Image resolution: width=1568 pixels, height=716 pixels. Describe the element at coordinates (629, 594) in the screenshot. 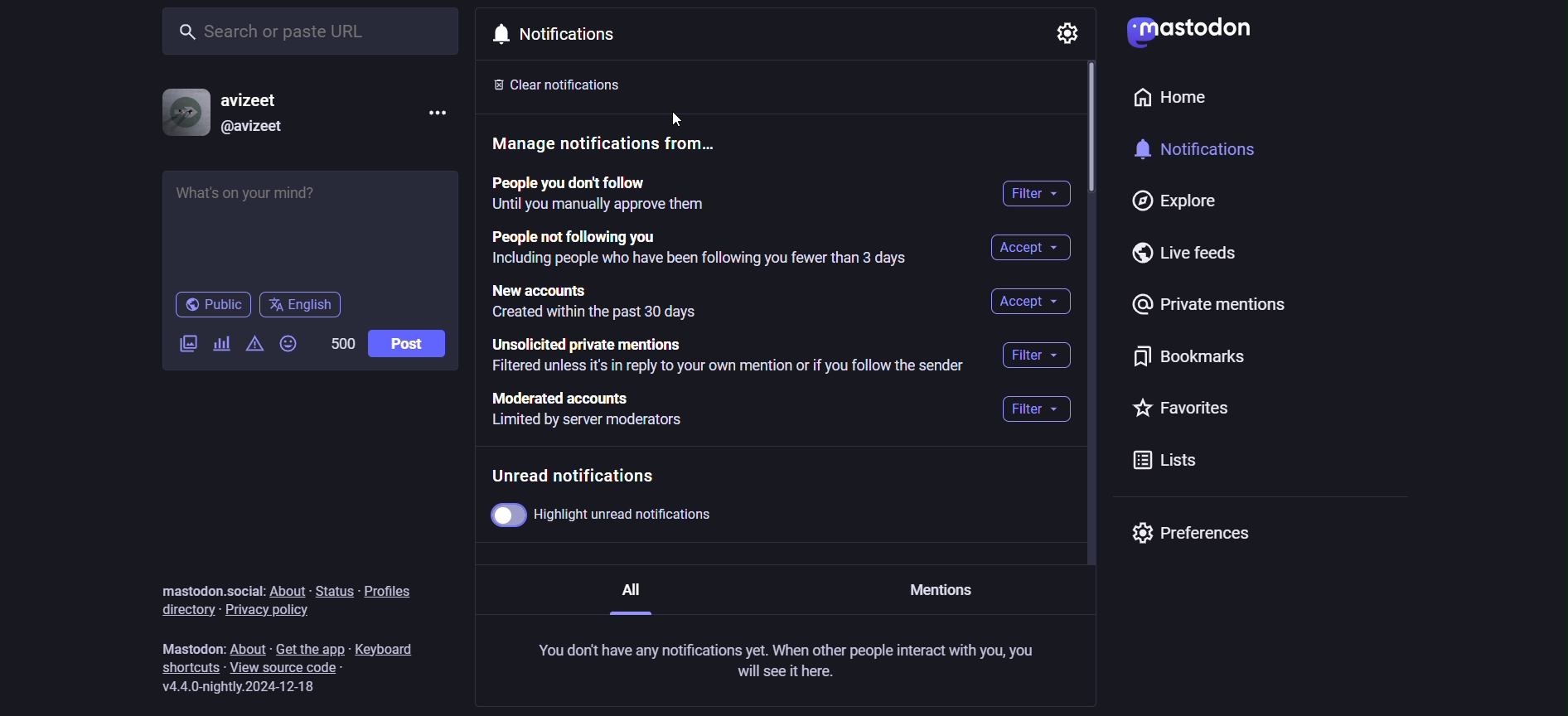

I see `all` at that location.